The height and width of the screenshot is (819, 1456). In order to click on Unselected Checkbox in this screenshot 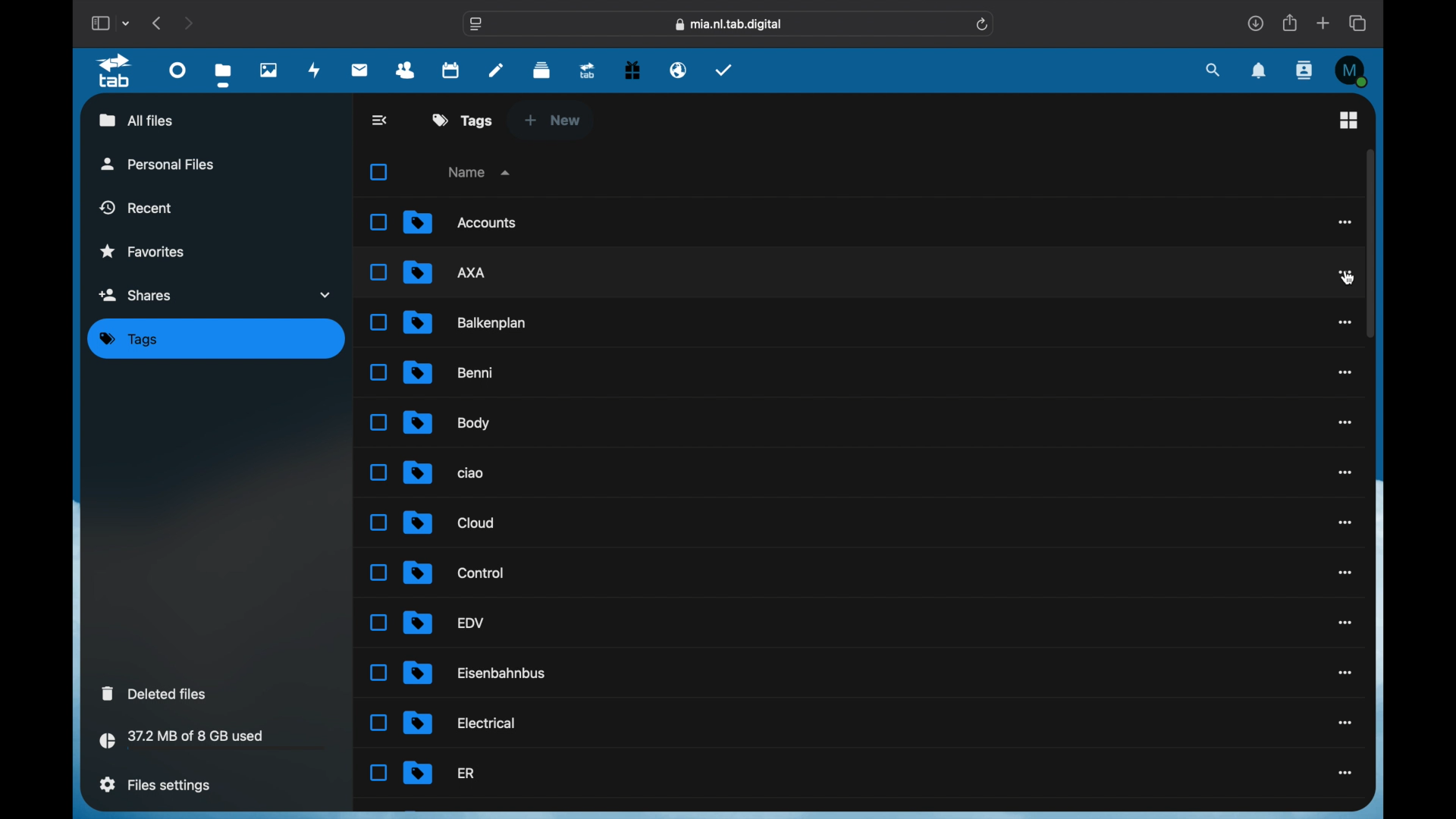, I will do `click(381, 372)`.